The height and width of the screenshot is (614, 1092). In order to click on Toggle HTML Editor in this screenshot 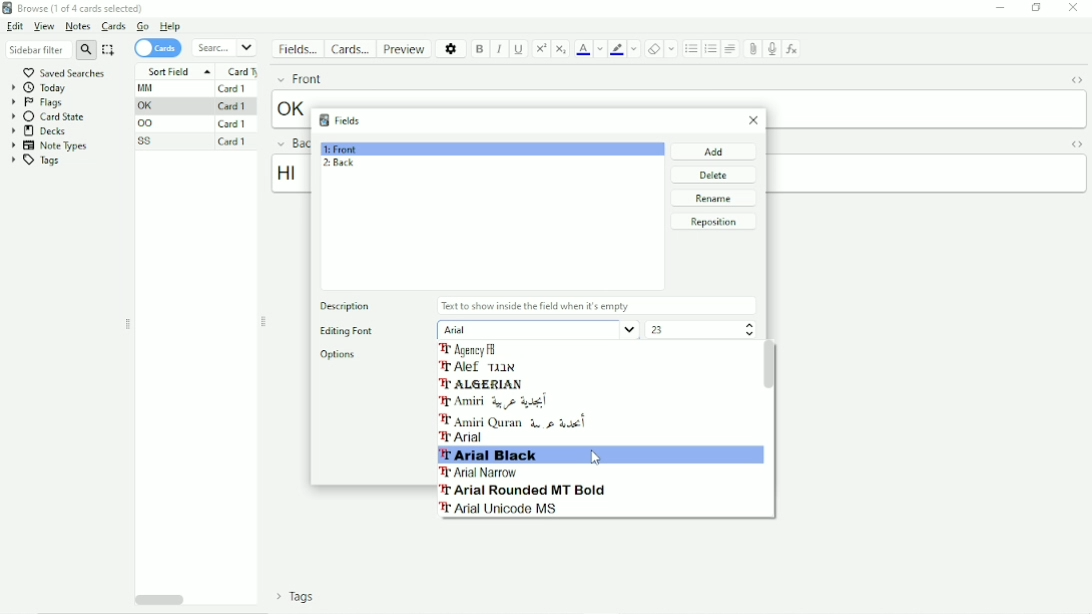, I will do `click(1074, 79)`.